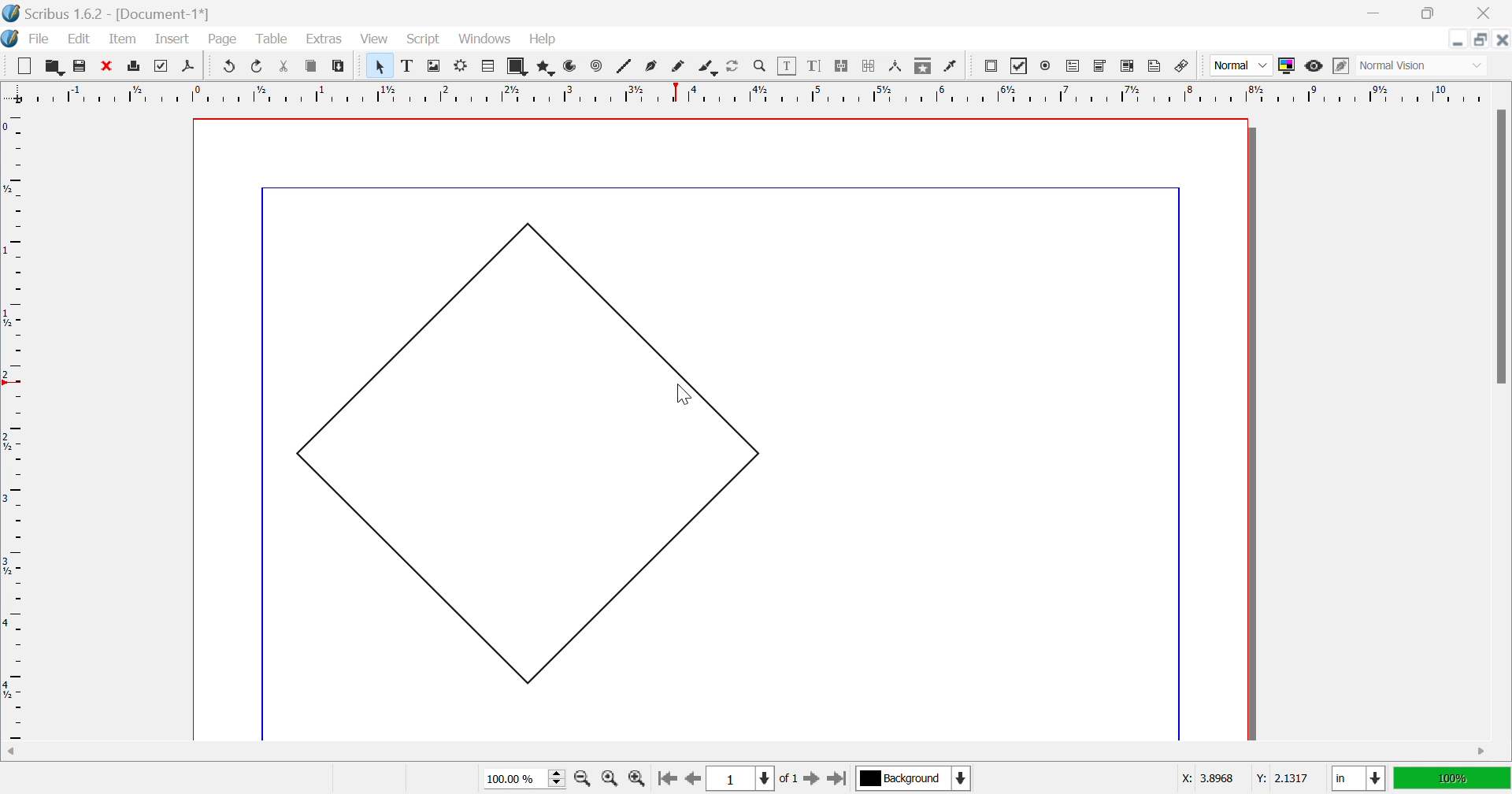 This screenshot has width=1512, height=794. I want to click on 100%, so click(1450, 777).